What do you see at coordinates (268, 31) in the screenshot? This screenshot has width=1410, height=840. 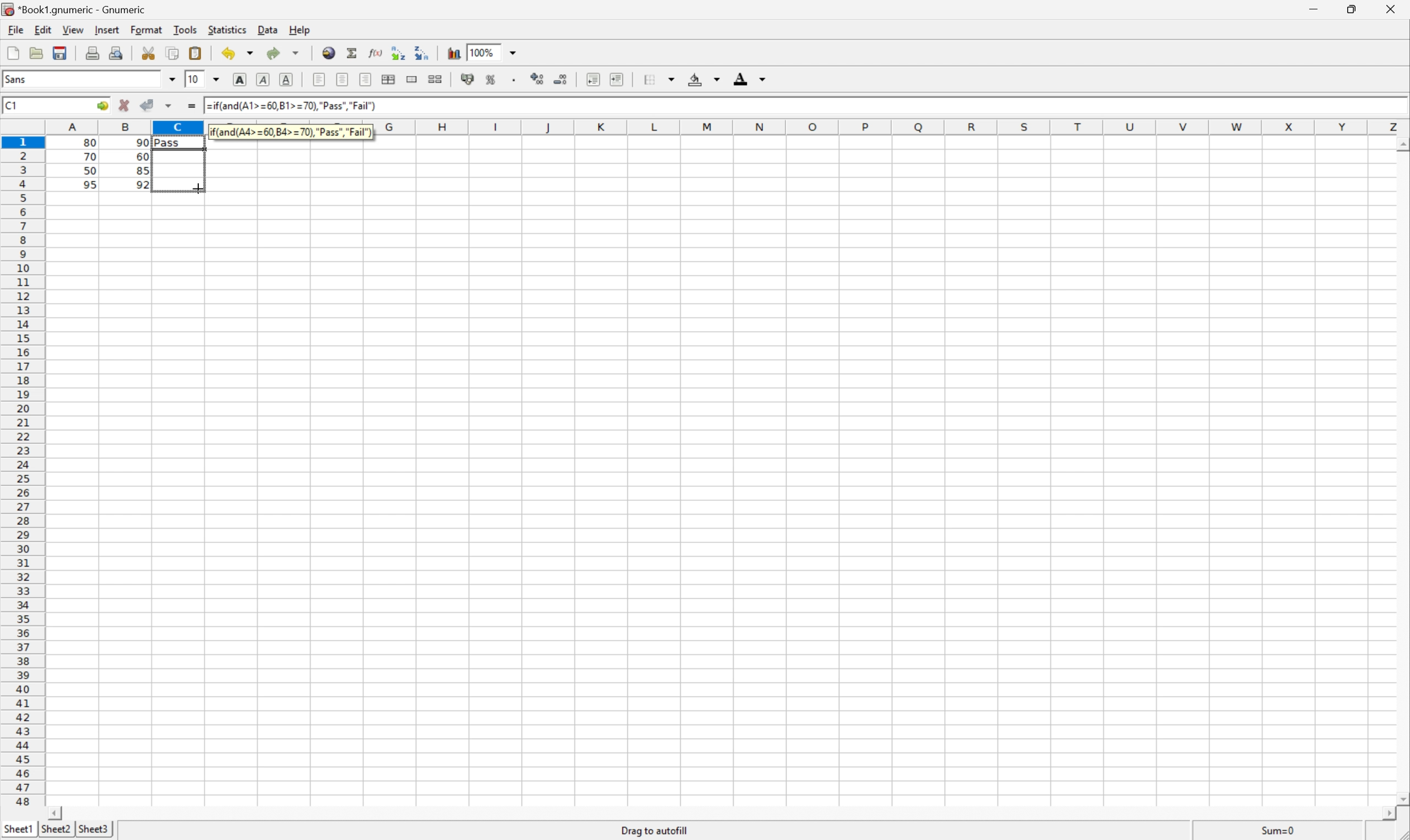 I see `Data` at bounding box center [268, 31].